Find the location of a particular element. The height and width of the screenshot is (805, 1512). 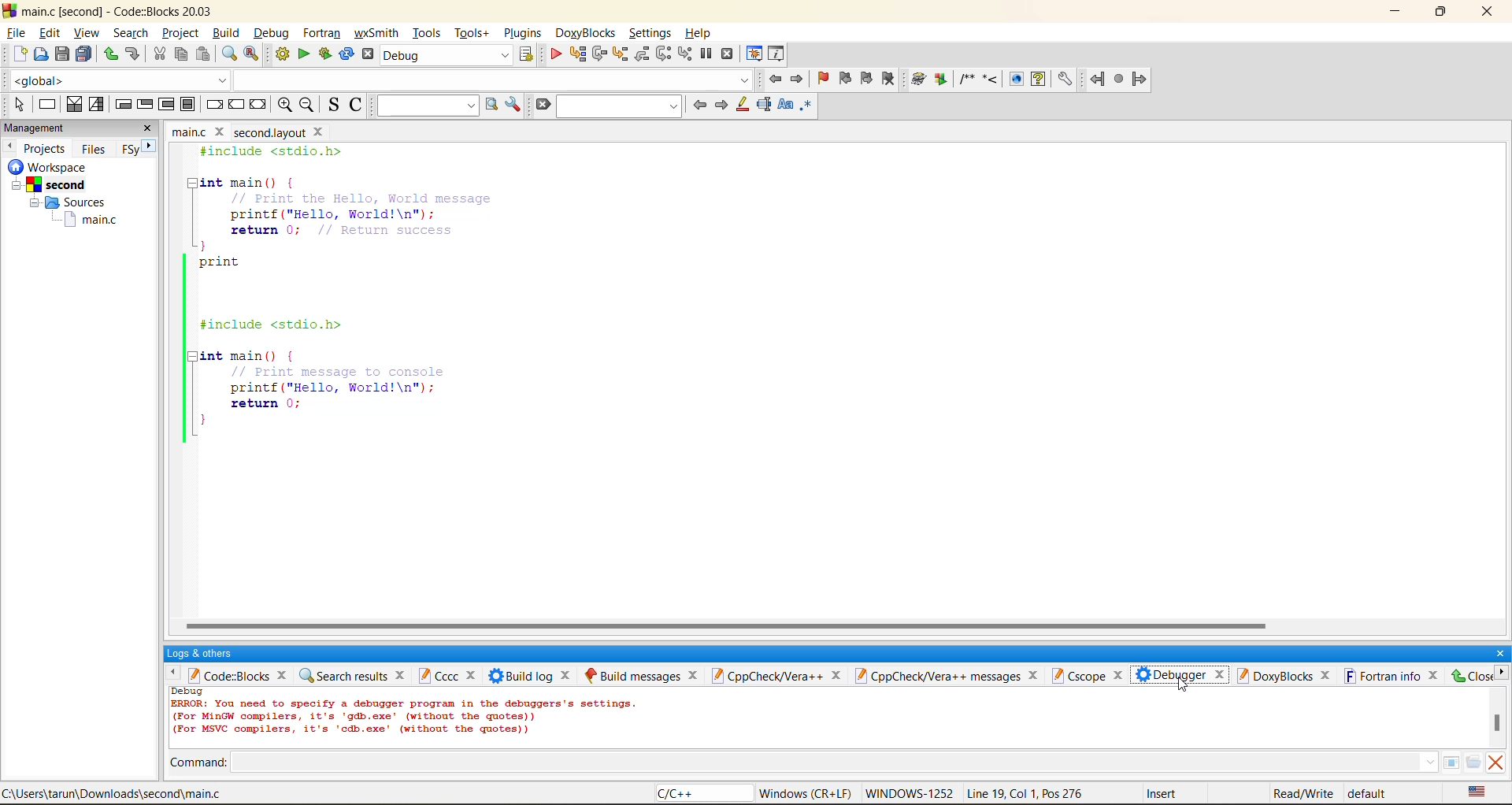

right menu is located at coordinates (1503, 677).